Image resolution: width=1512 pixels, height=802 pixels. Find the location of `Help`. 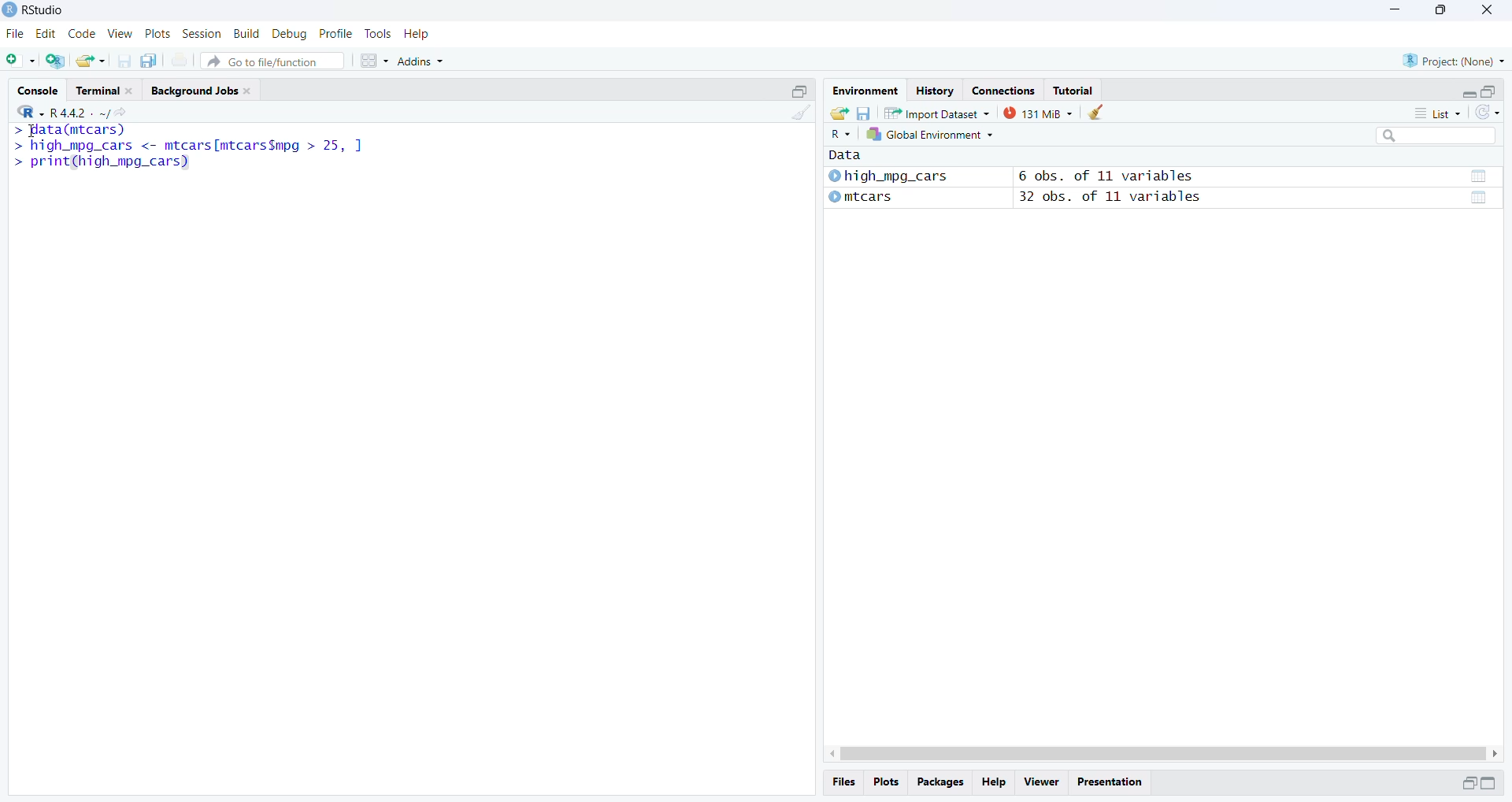

Help is located at coordinates (416, 33).